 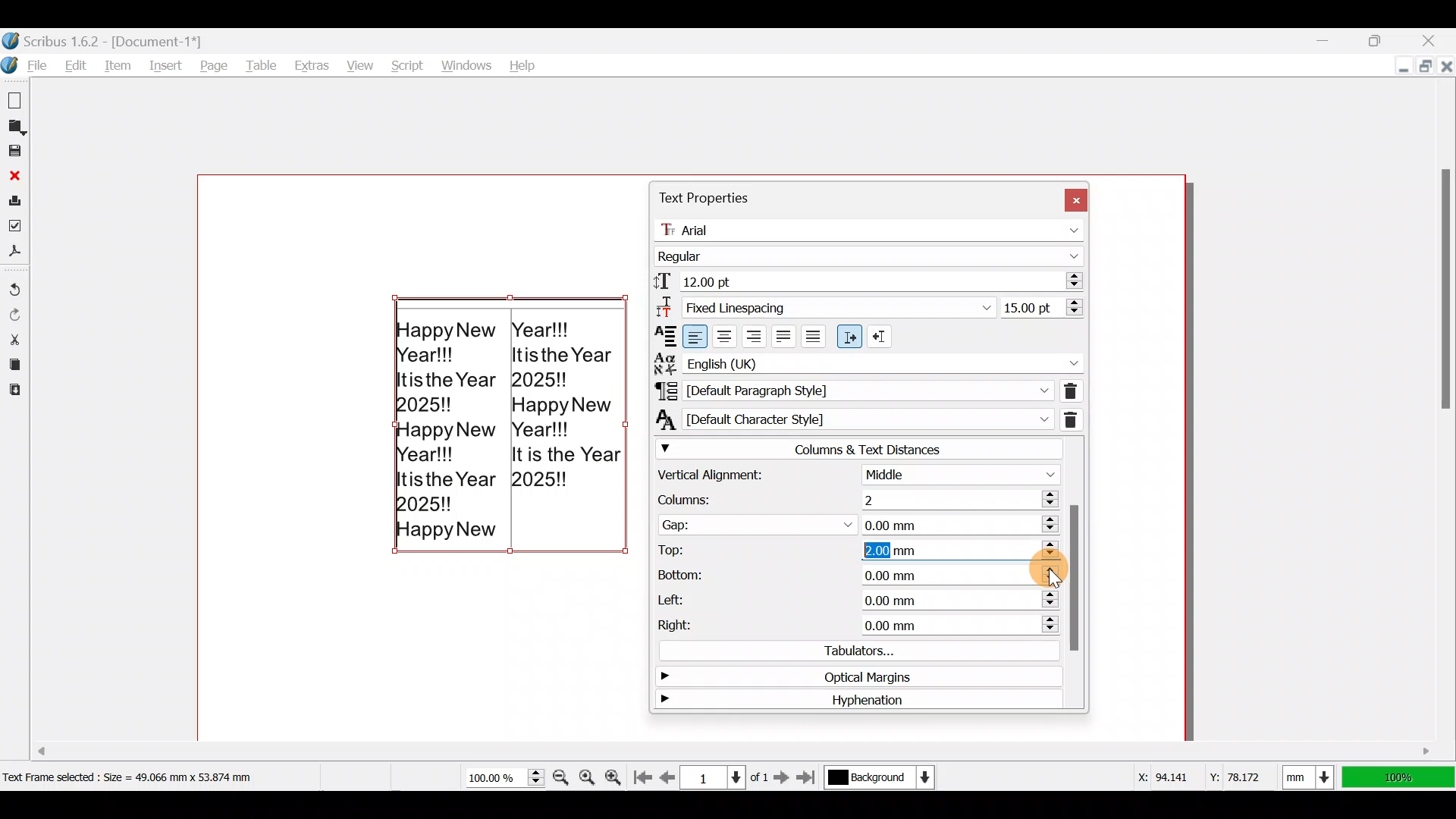 What do you see at coordinates (857, 449) in the screenshot?
I see `Columns & text distances` at bounding box center [857, 449].